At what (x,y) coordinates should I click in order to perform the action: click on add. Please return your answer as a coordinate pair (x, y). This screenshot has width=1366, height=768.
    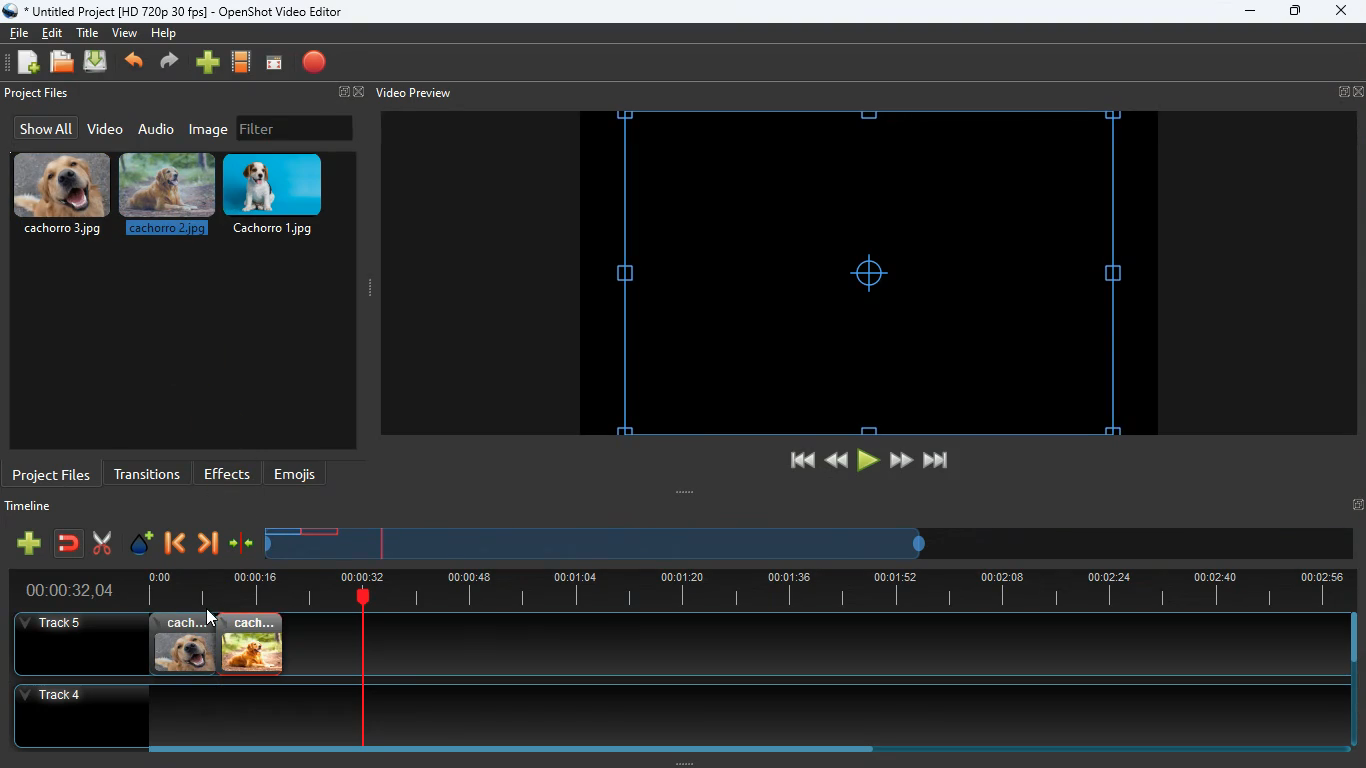
    Looking at the image, I should click on (208, 63).